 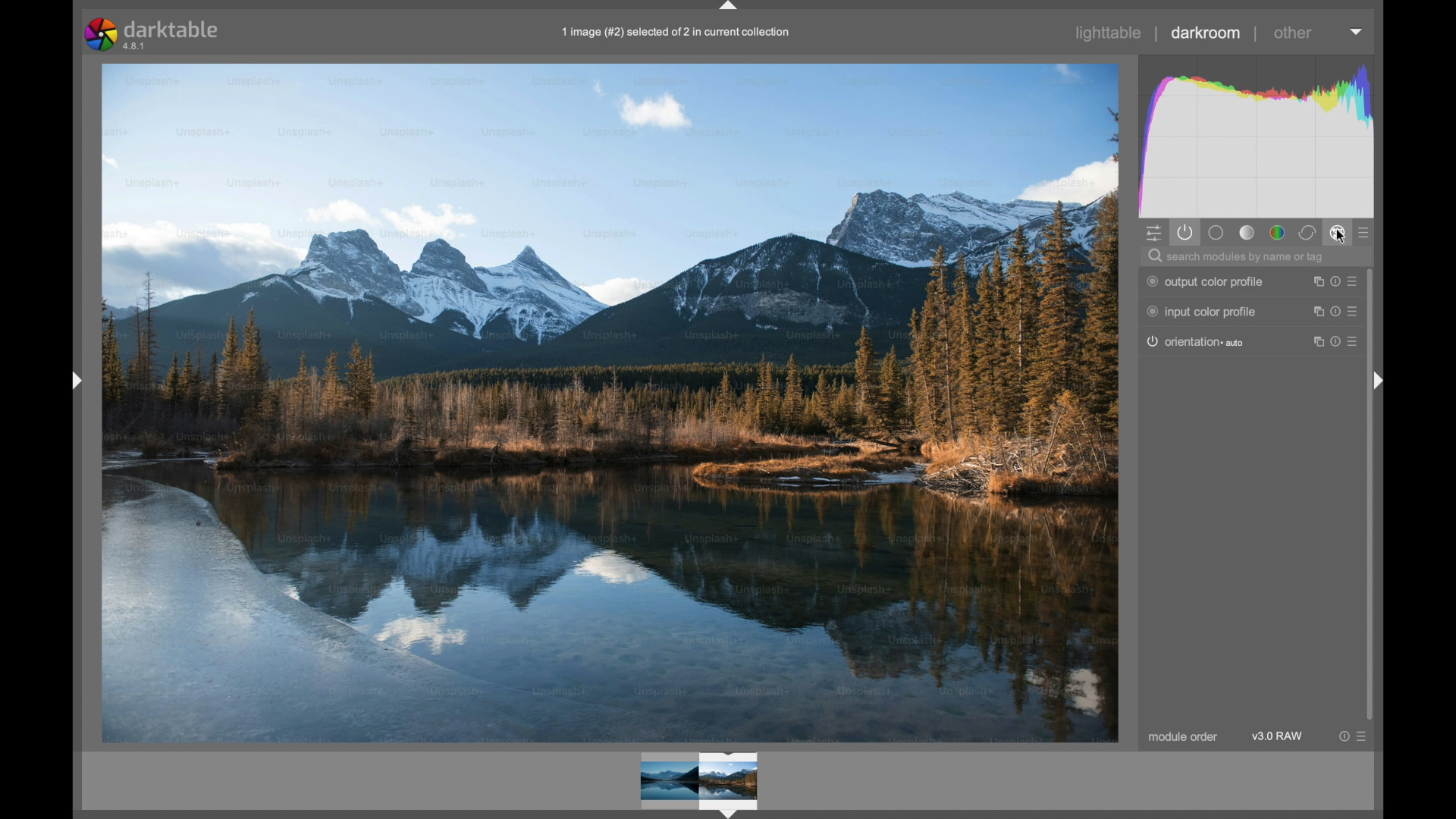 I want to click on resize handle, so click(x=1356, y=311).